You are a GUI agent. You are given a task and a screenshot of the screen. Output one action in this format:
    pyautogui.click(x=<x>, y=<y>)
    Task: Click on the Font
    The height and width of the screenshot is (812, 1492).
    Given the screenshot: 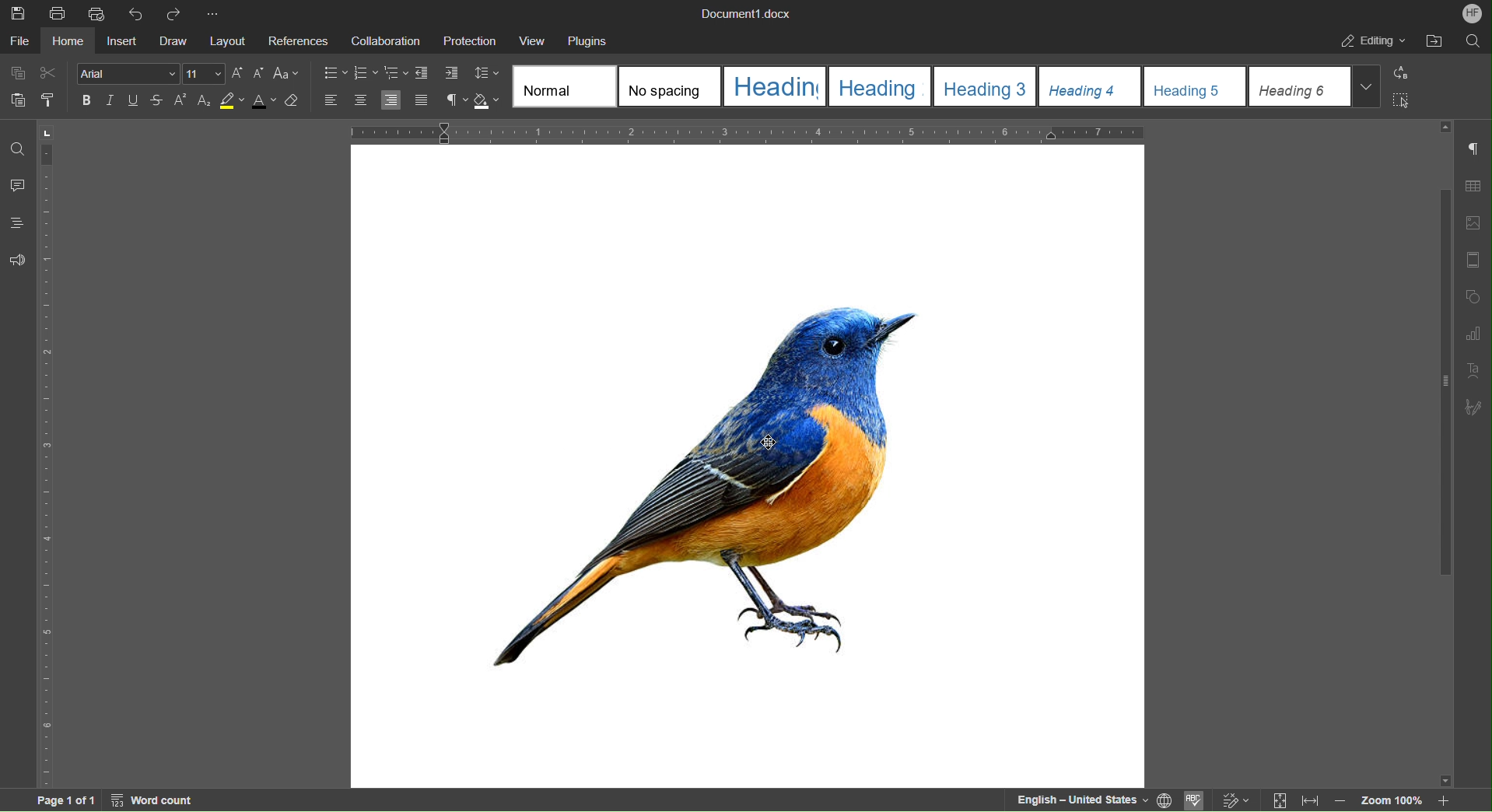 What is the action you would take?
    pyautogui.click(x=129, y=73)
    